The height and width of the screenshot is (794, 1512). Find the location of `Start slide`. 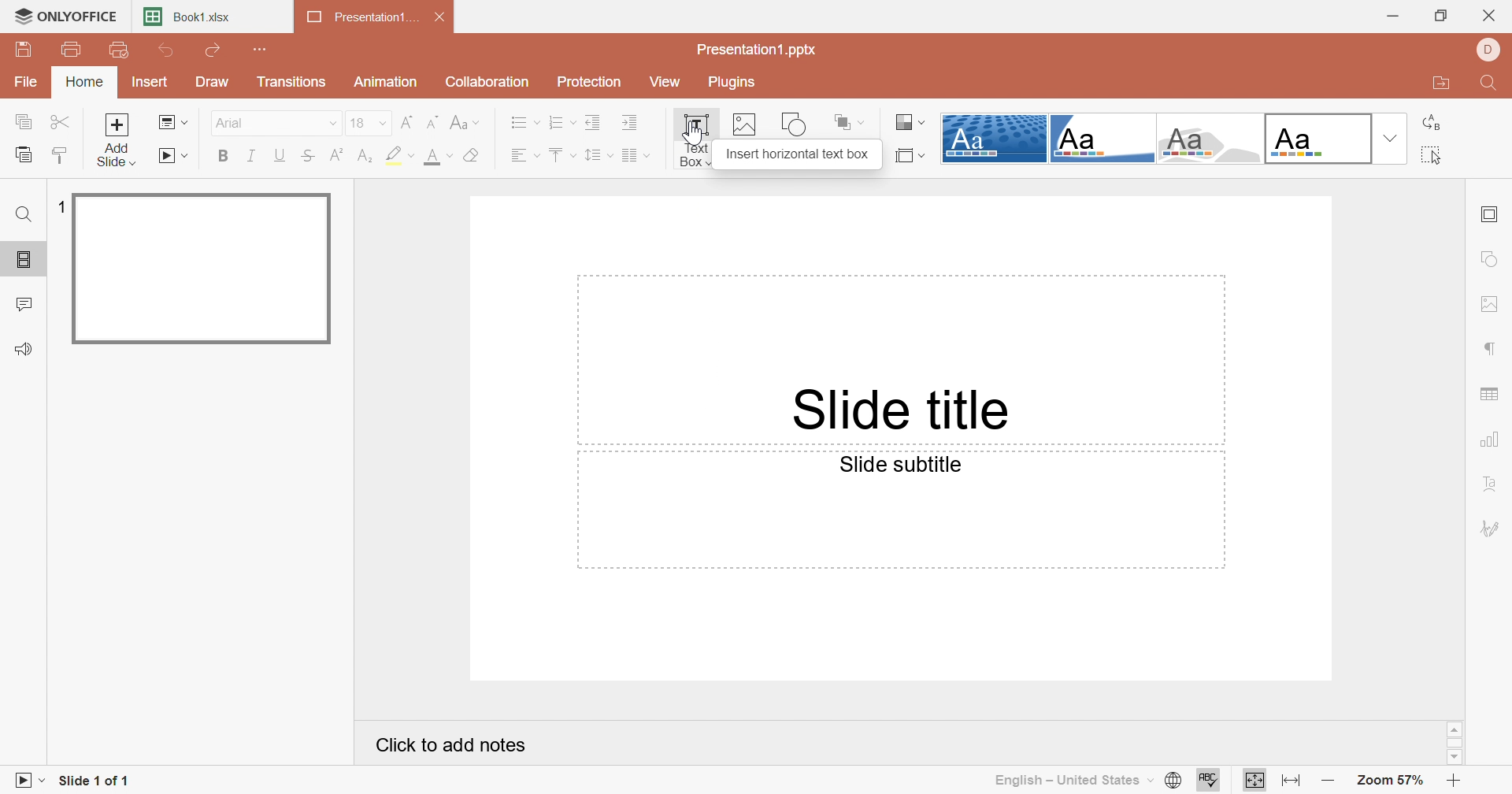

Start slide is located at coordinates (24, 781).